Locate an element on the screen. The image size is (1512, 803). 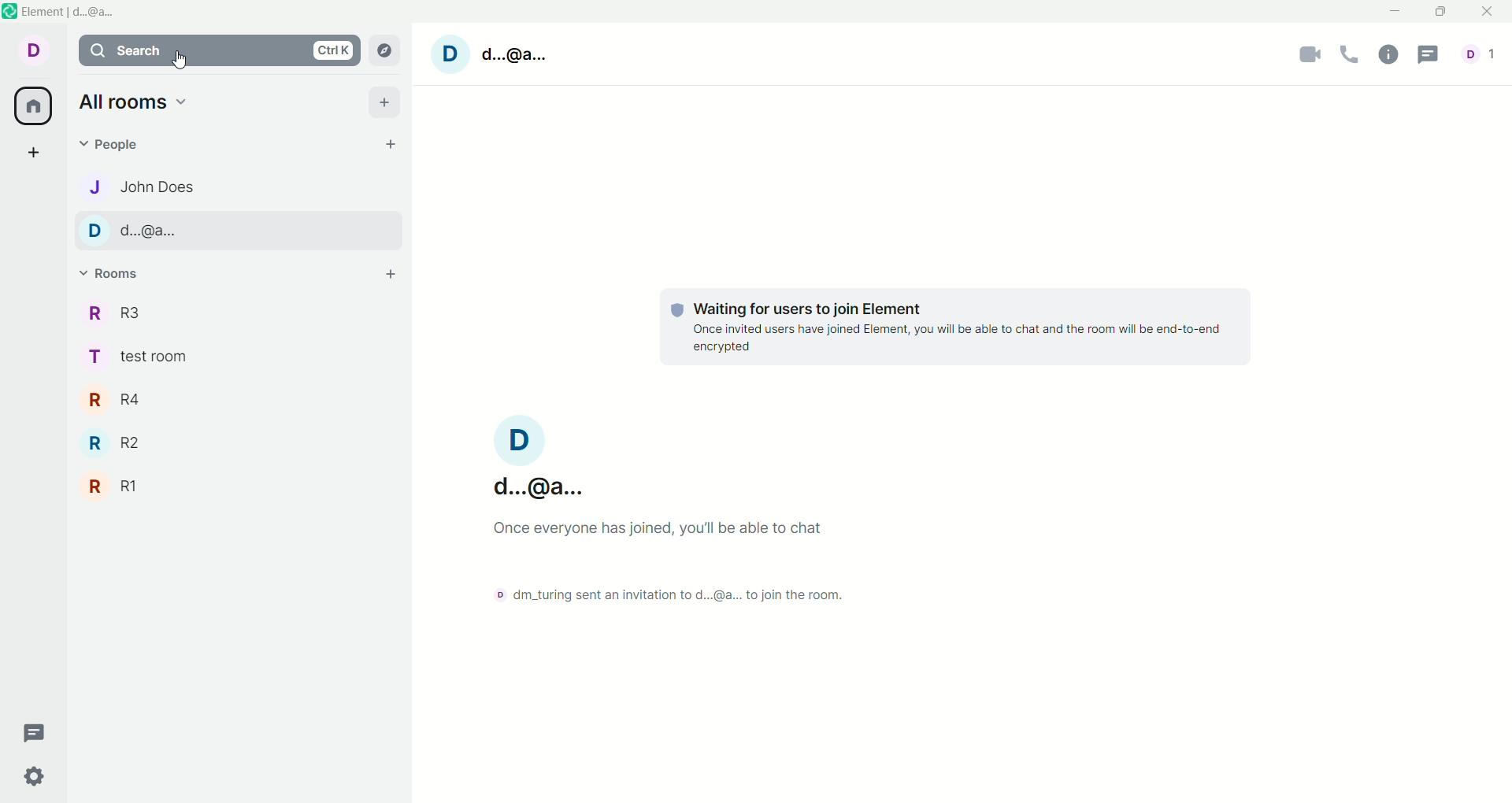
close is located at coordinates (1489, 12).